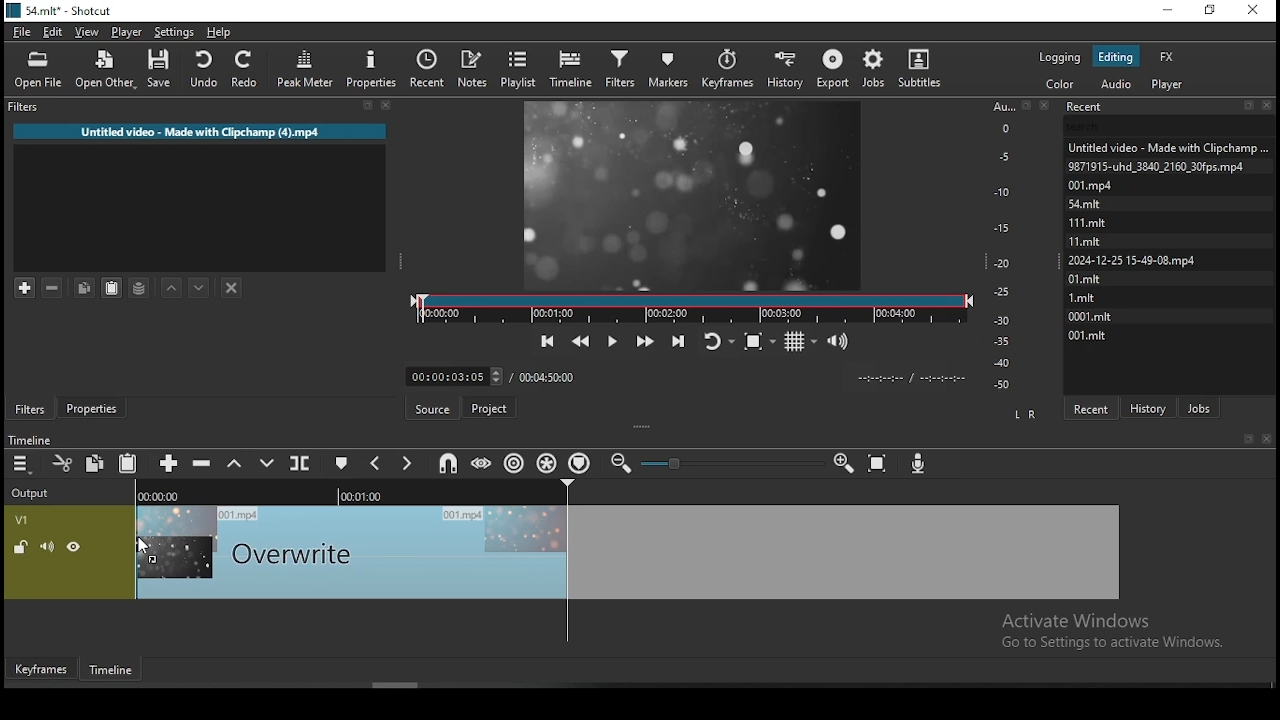 This screenshot has height=720, width=1280. Describe the element at coordinates (63, 11) in the screenshot. I see `icon and file name` at that location.